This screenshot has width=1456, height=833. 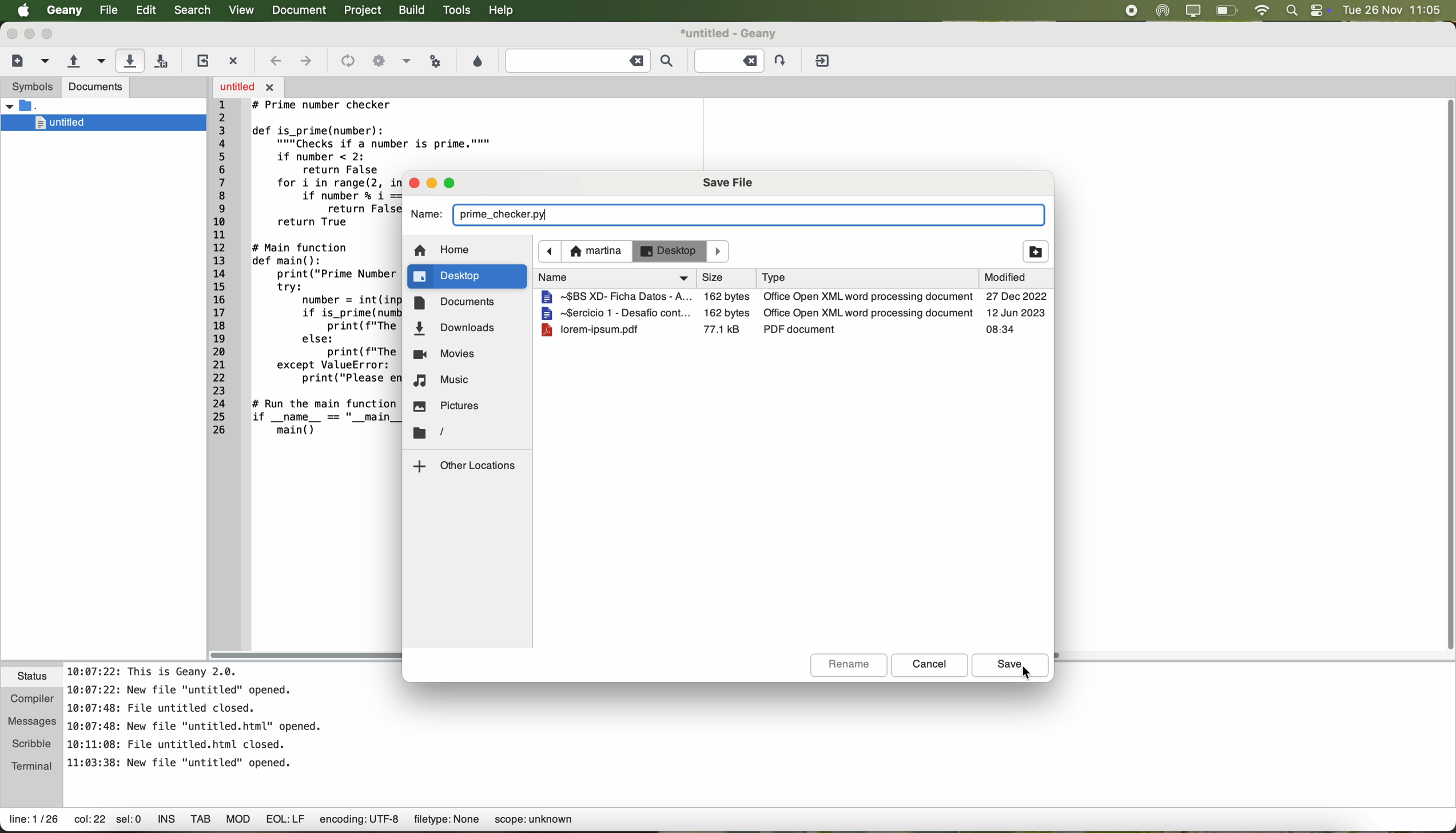 What do you see at coordinates (972, 278) in the screenshot?
I see `type` at bounding box center [972, 278].